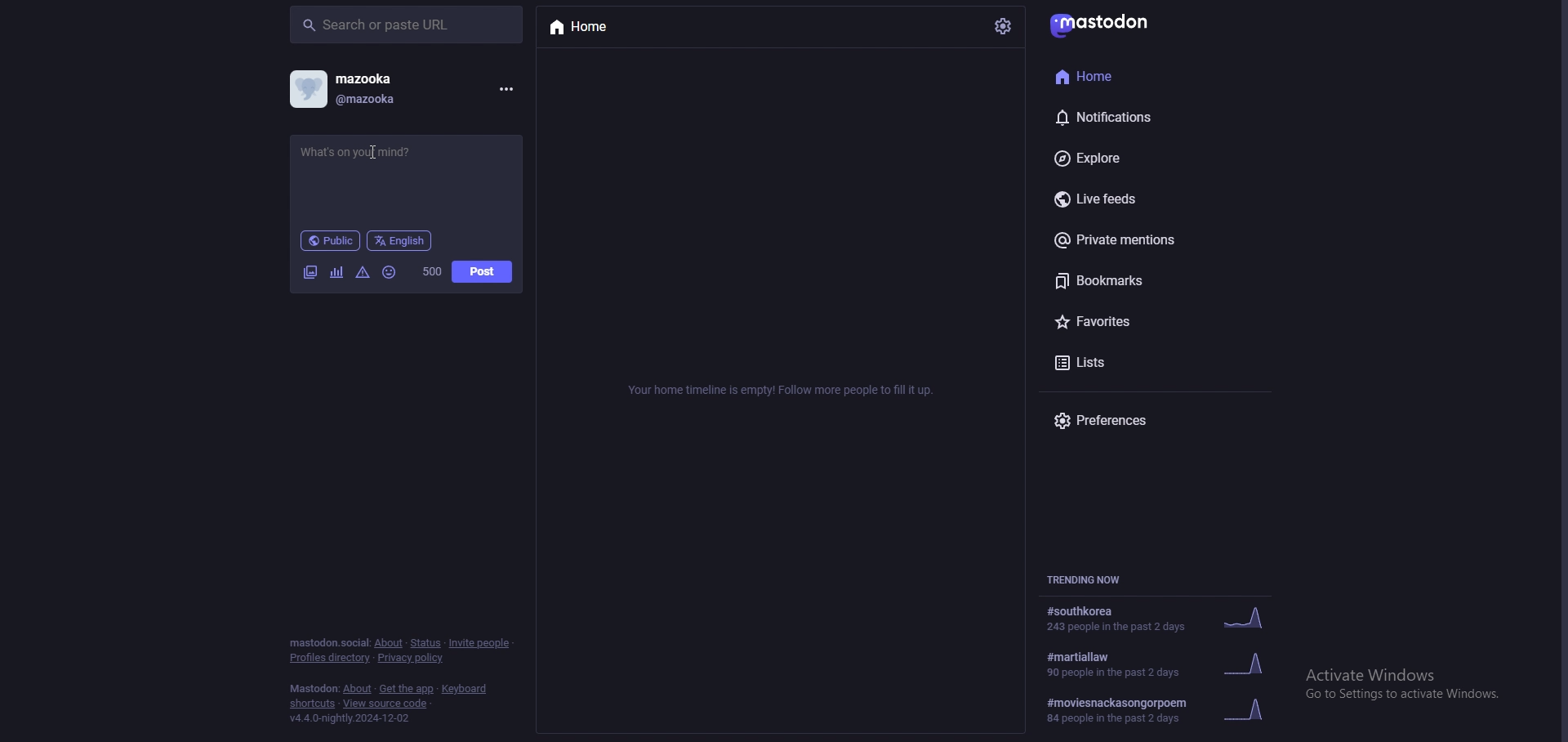 This screenshot has width=1568, height=742. Describe the element at coordinates (1131, 322) in the screenshot. I see `favorites` at that location.